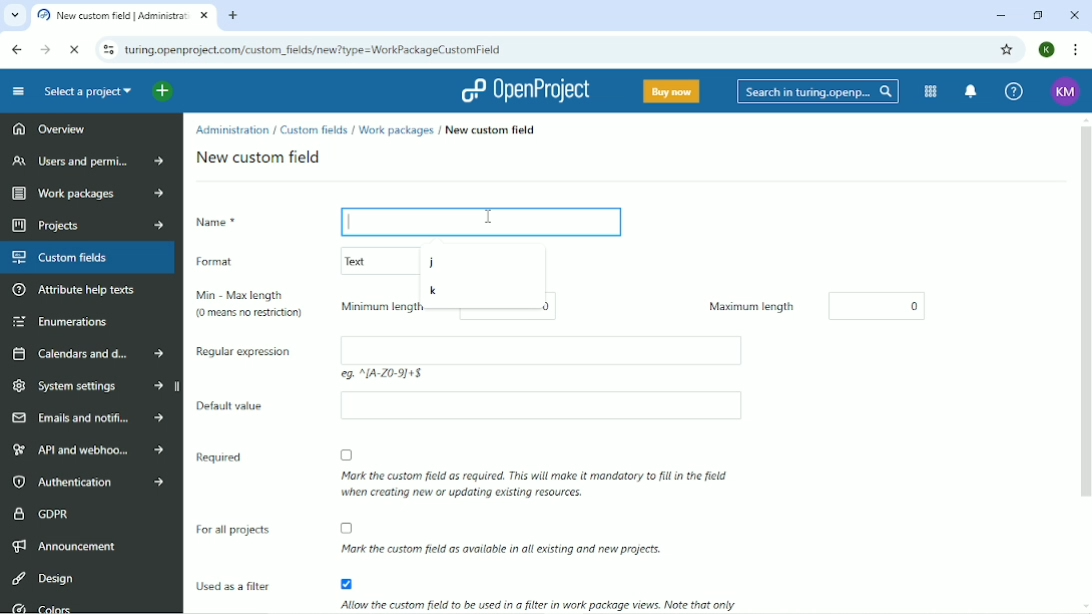  I want to click on To notification center, so click(971, 92).